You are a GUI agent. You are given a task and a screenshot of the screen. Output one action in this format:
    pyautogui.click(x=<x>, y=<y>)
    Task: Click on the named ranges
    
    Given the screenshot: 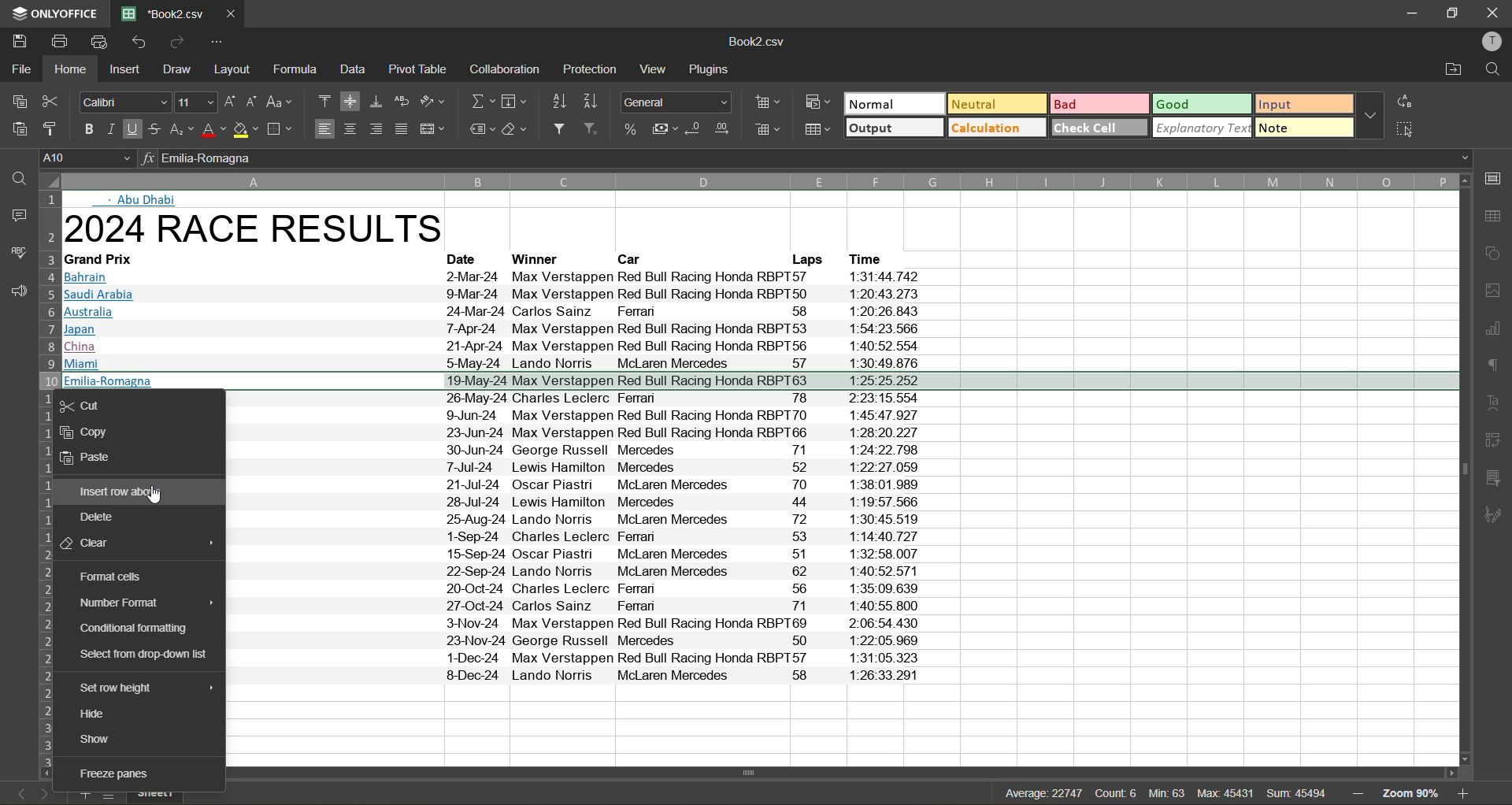 What is the action you would take?
    pyautogui.click(x=479, y=129)
    